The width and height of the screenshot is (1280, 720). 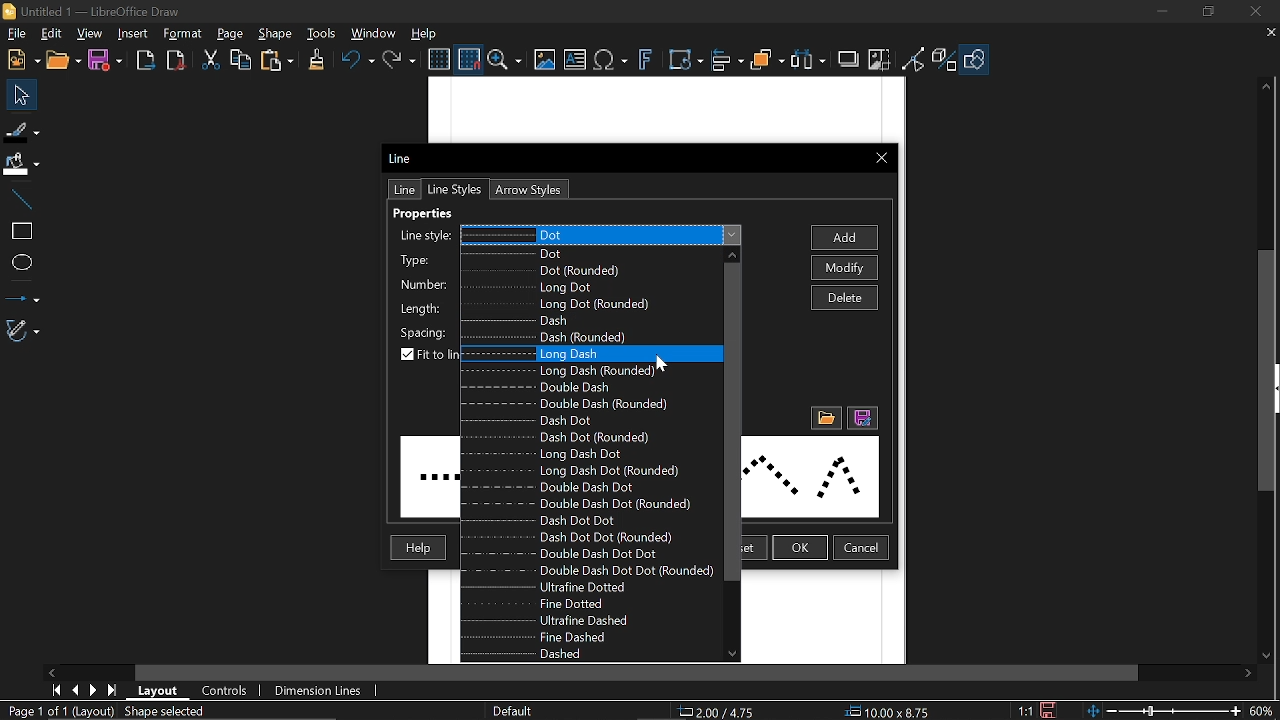 I want to click on Line styles, so click(x=454, y=189).